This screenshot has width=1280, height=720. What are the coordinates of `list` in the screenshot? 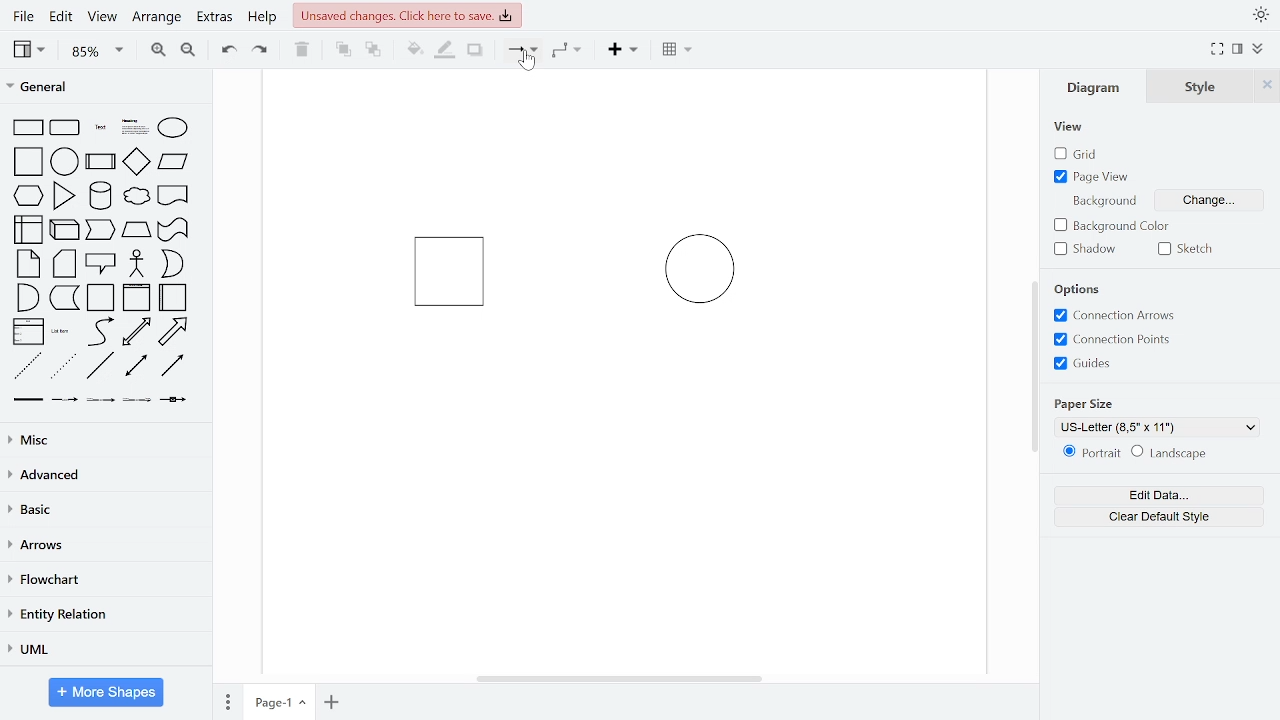 It's located at (28, 332).